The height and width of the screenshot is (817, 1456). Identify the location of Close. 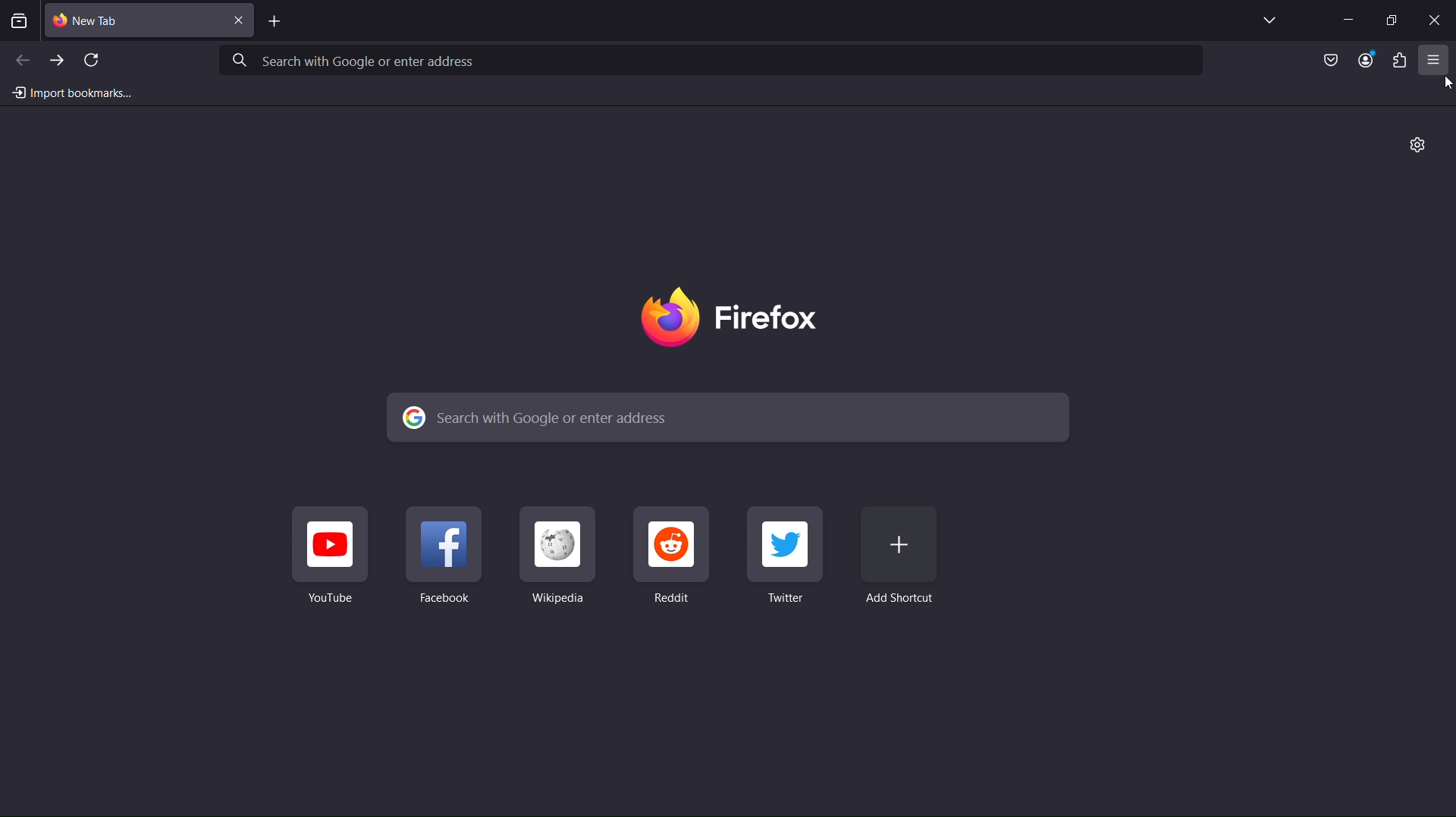
(1436, 17).